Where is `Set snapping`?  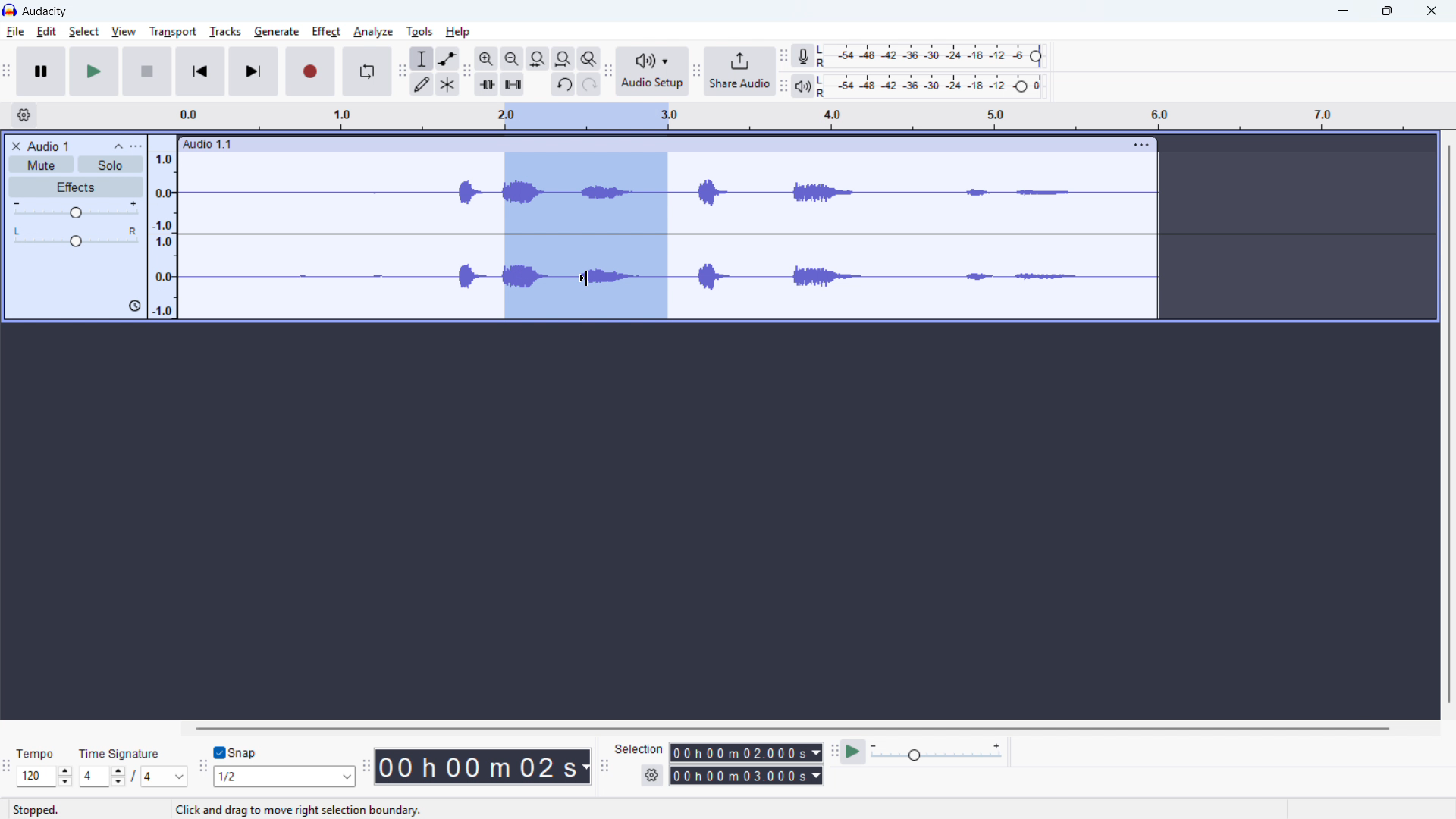 Set snapping is located at coordinates (285, 777).